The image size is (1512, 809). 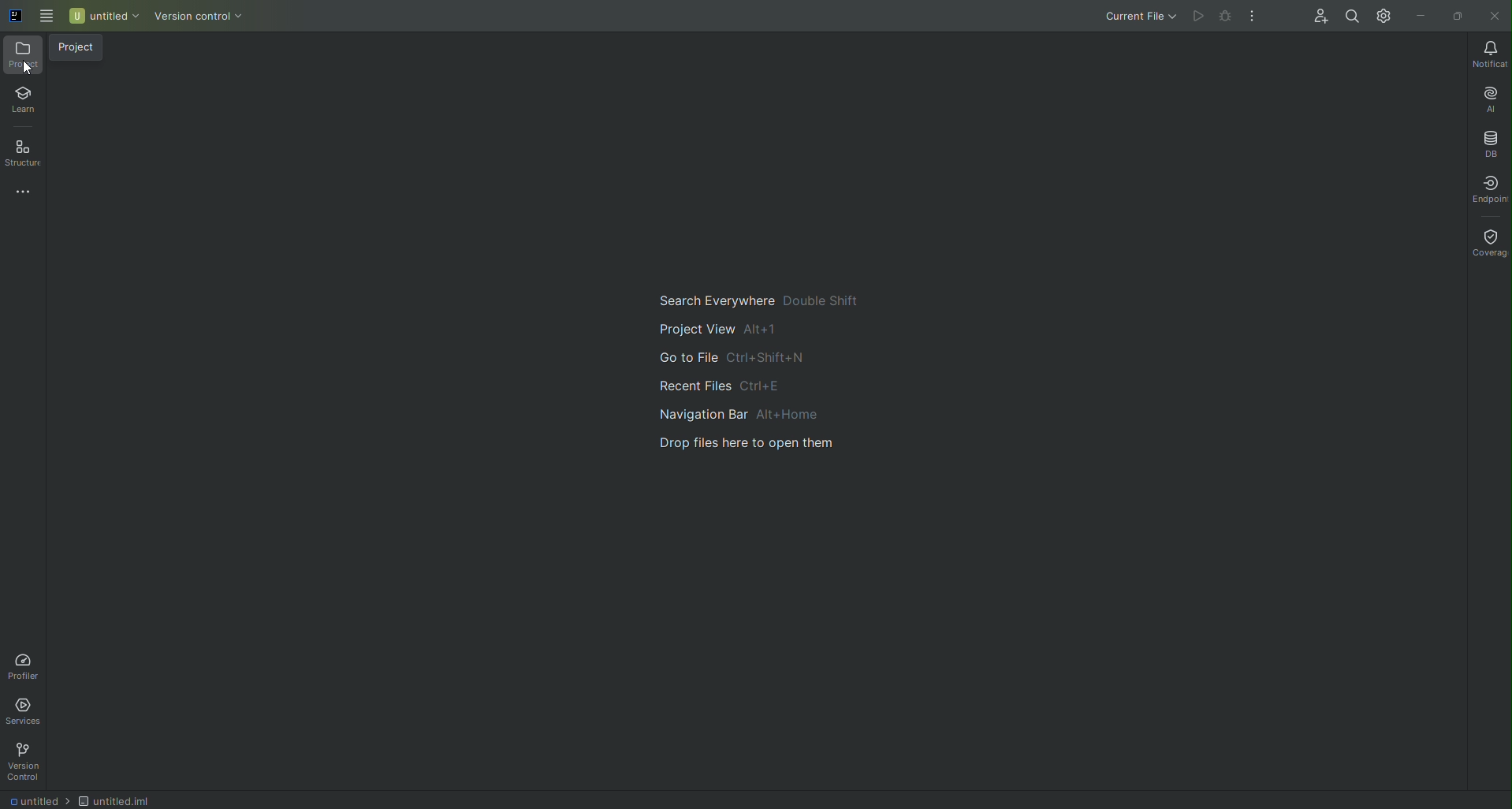 I want to click on Search, so click(x=1350, y=17).